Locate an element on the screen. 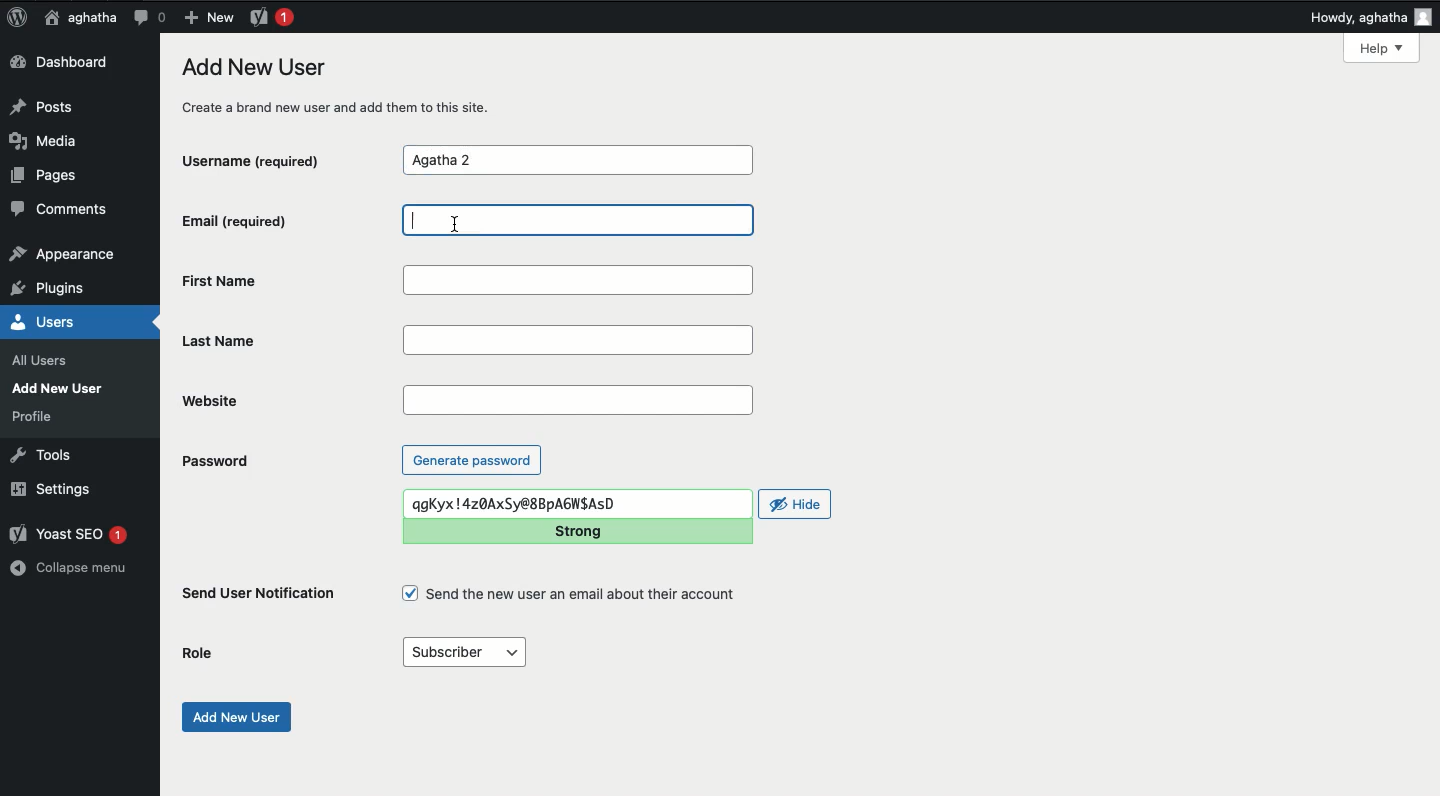 The image size is (1440, 796). Add new user is located at coordinates (234, 717).